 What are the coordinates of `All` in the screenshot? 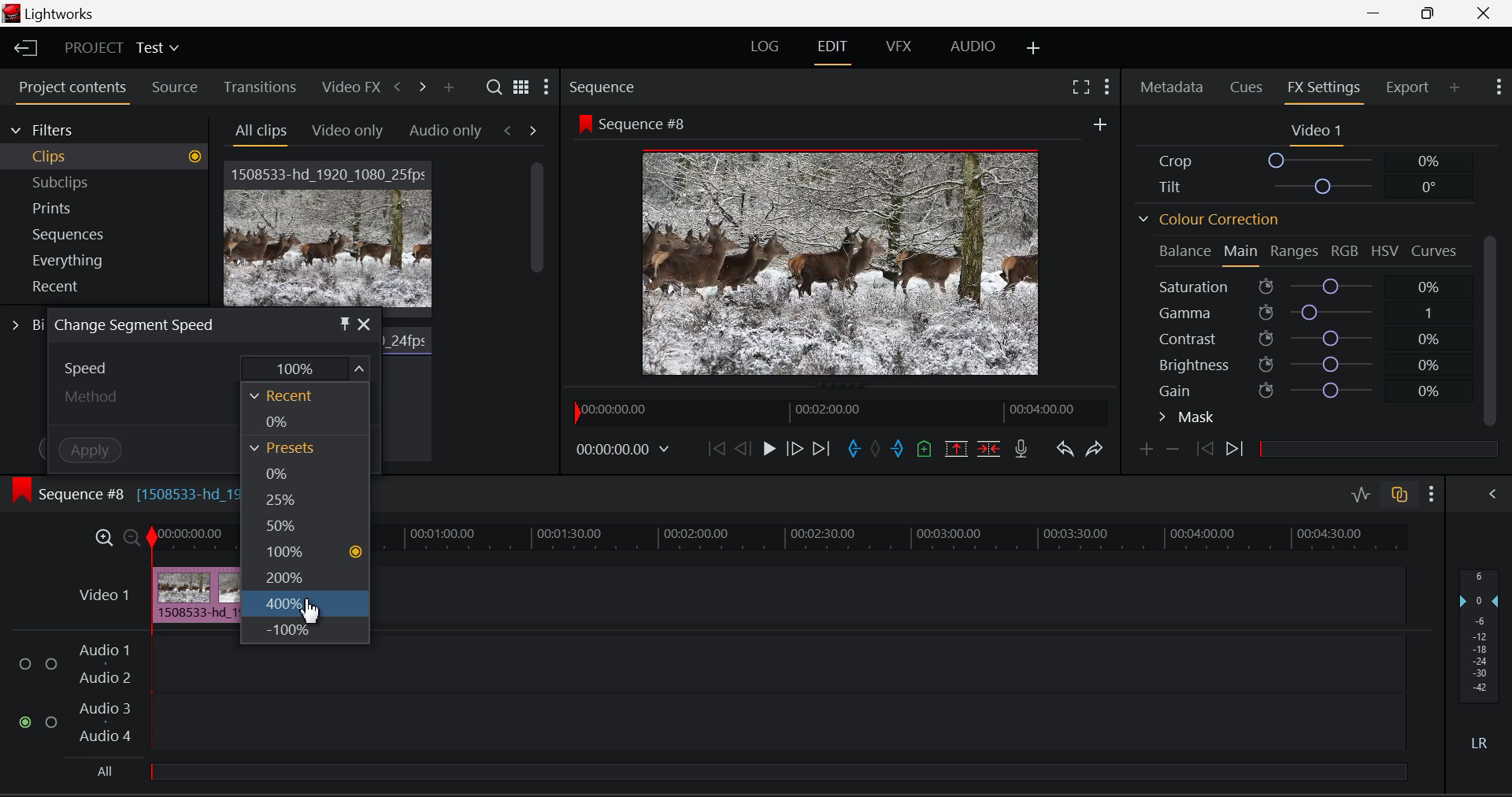 It's located at (743, 773).